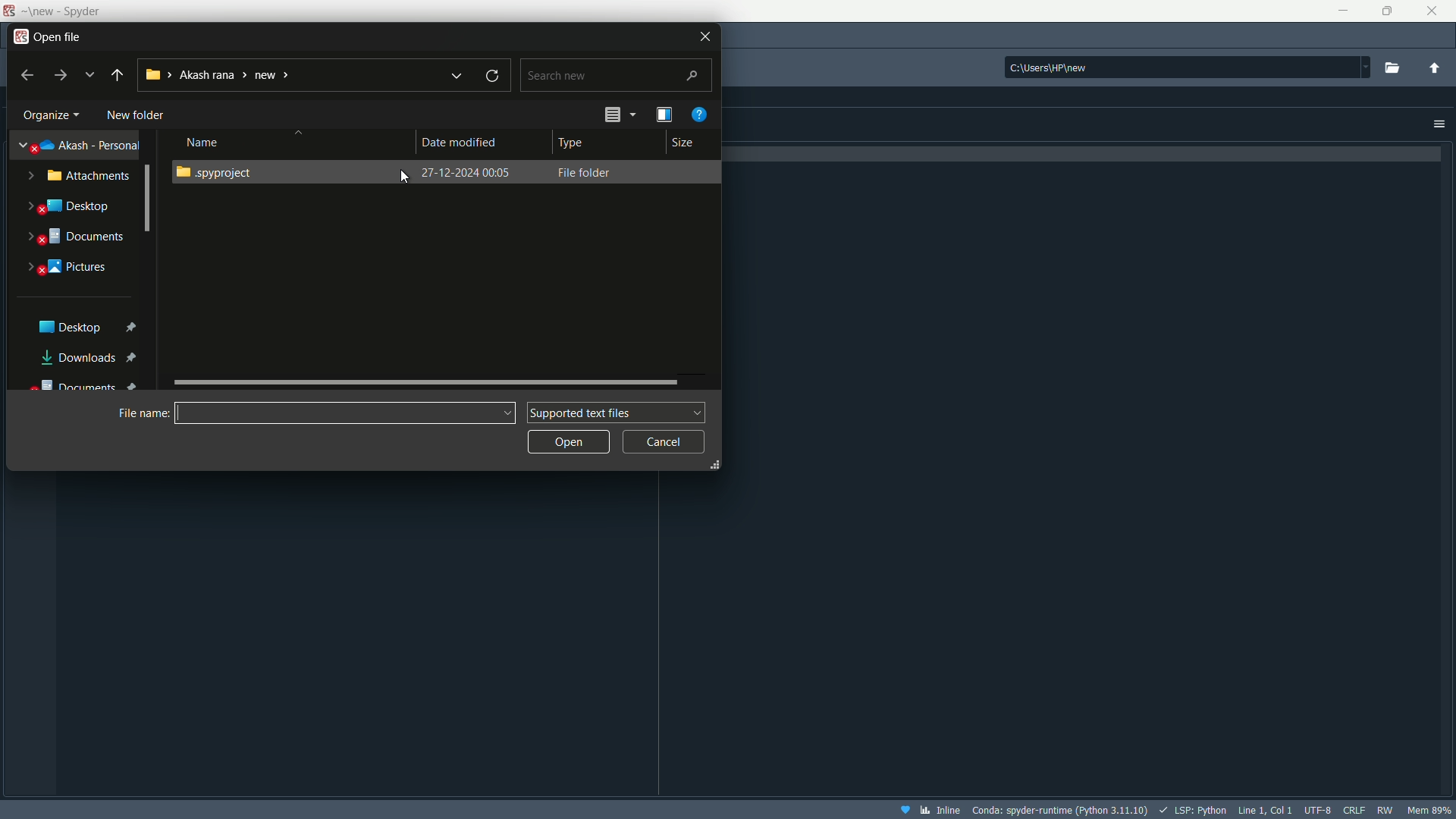 This screenshot has width=1456, height=819. I want to click on file eol status, so click(1355, 811).